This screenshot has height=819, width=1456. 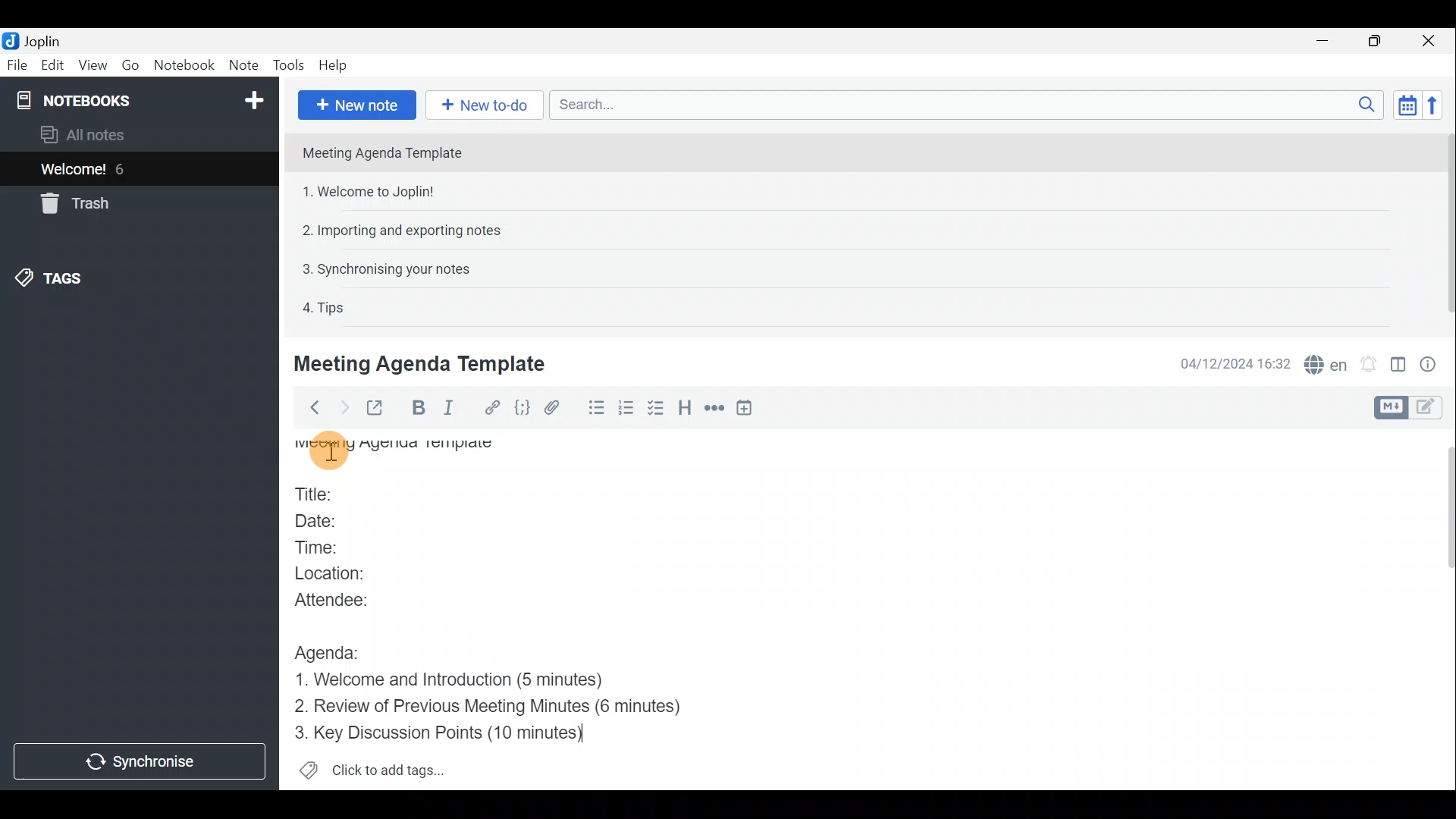 I want to click on Close, so click(x=1429, y=42).